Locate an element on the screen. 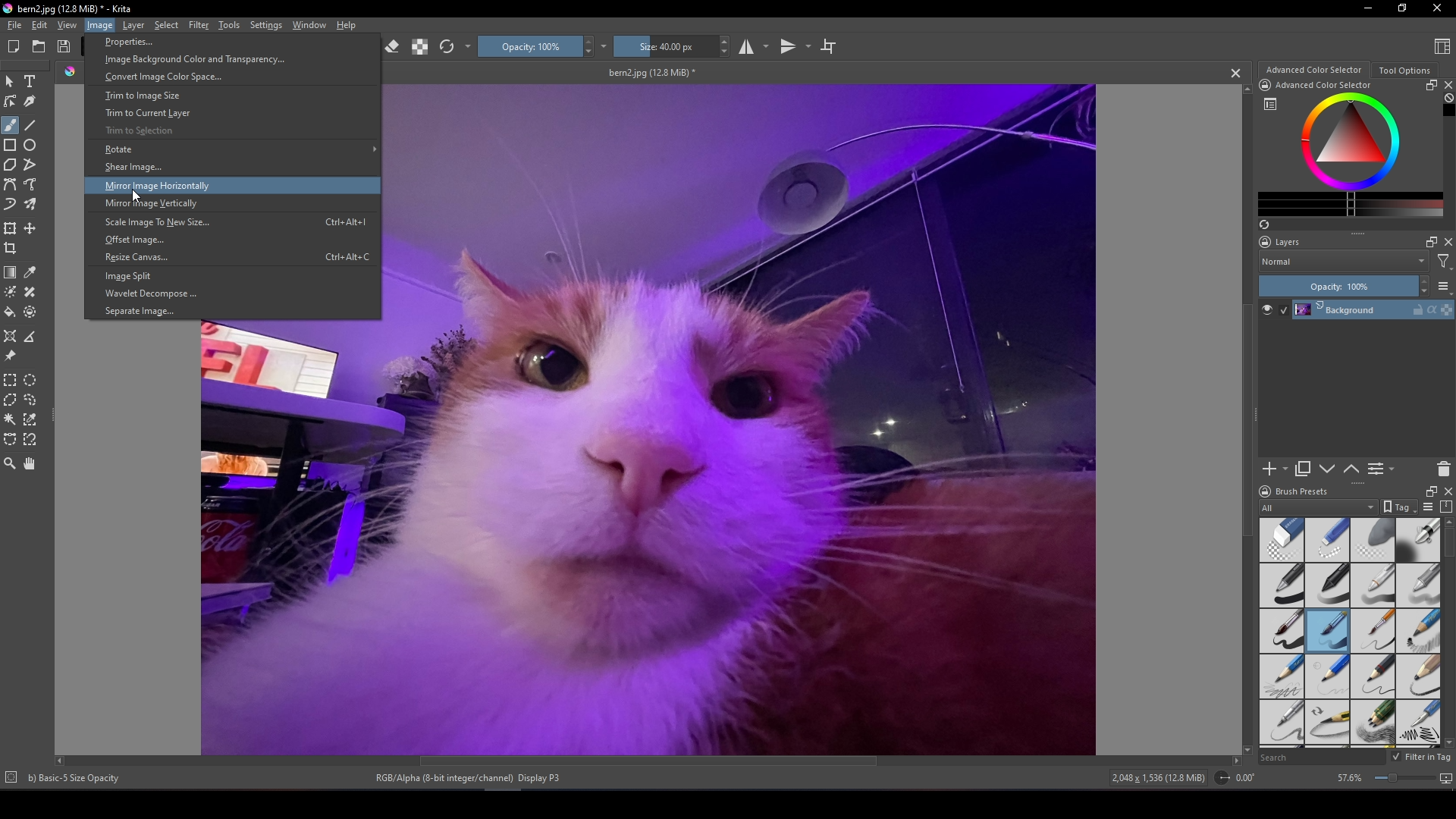 The height and width of the screenshot is (819, 1456). Rotate is located at coordinates (234, 149).